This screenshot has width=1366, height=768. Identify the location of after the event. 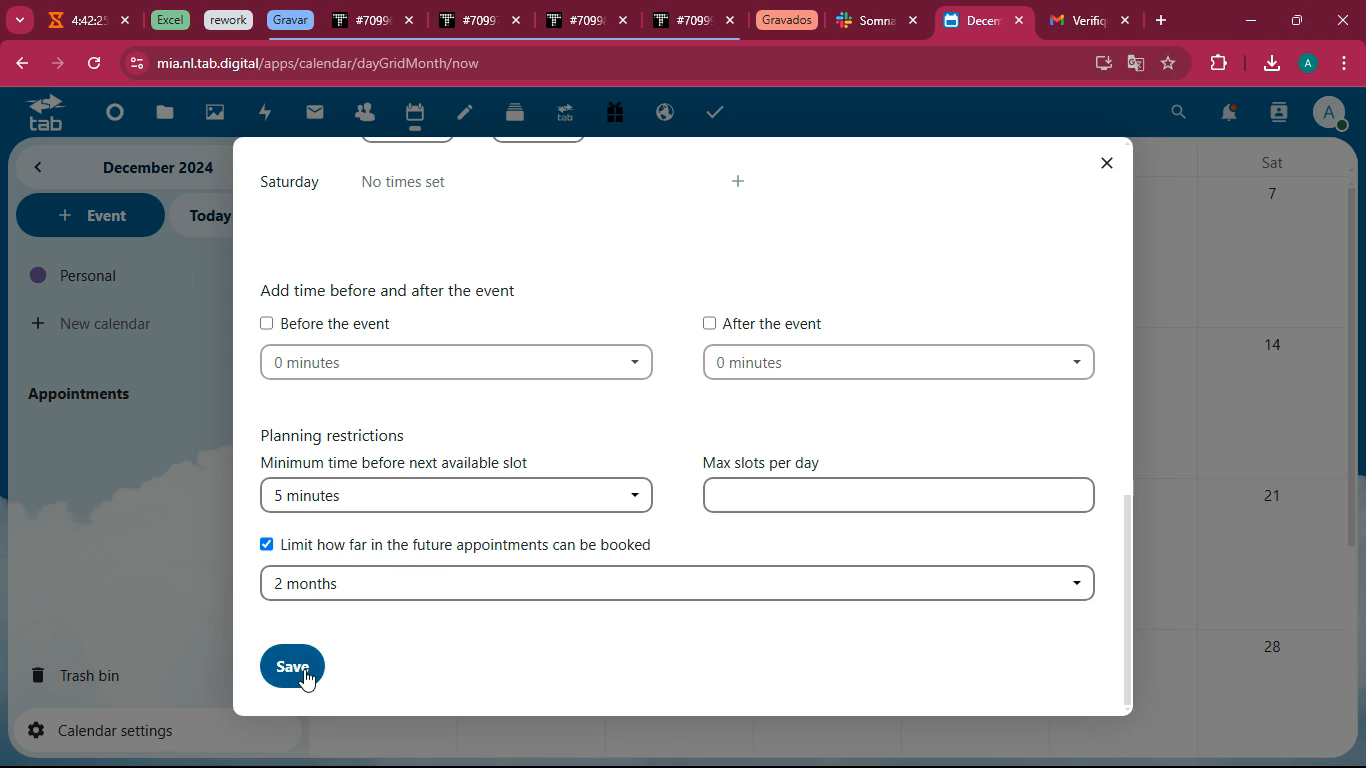
(767, 322).